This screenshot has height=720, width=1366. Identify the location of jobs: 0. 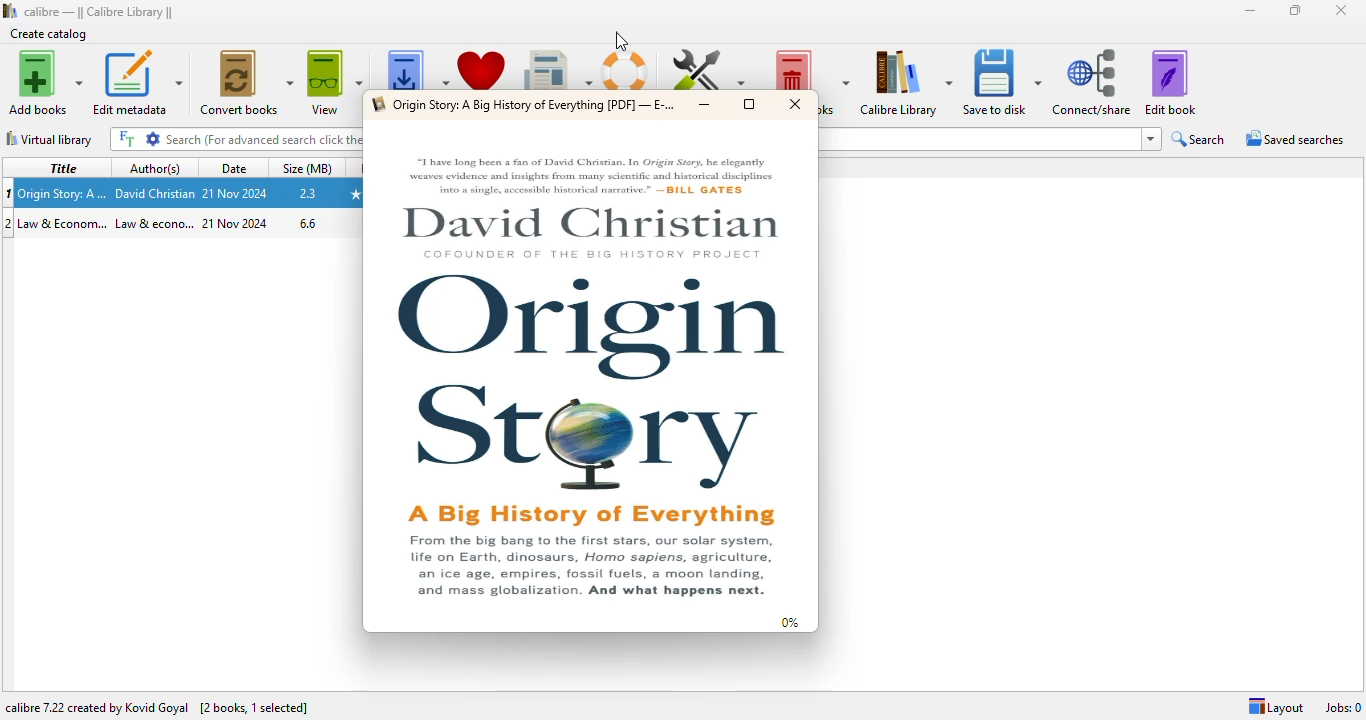
(1344, 708).